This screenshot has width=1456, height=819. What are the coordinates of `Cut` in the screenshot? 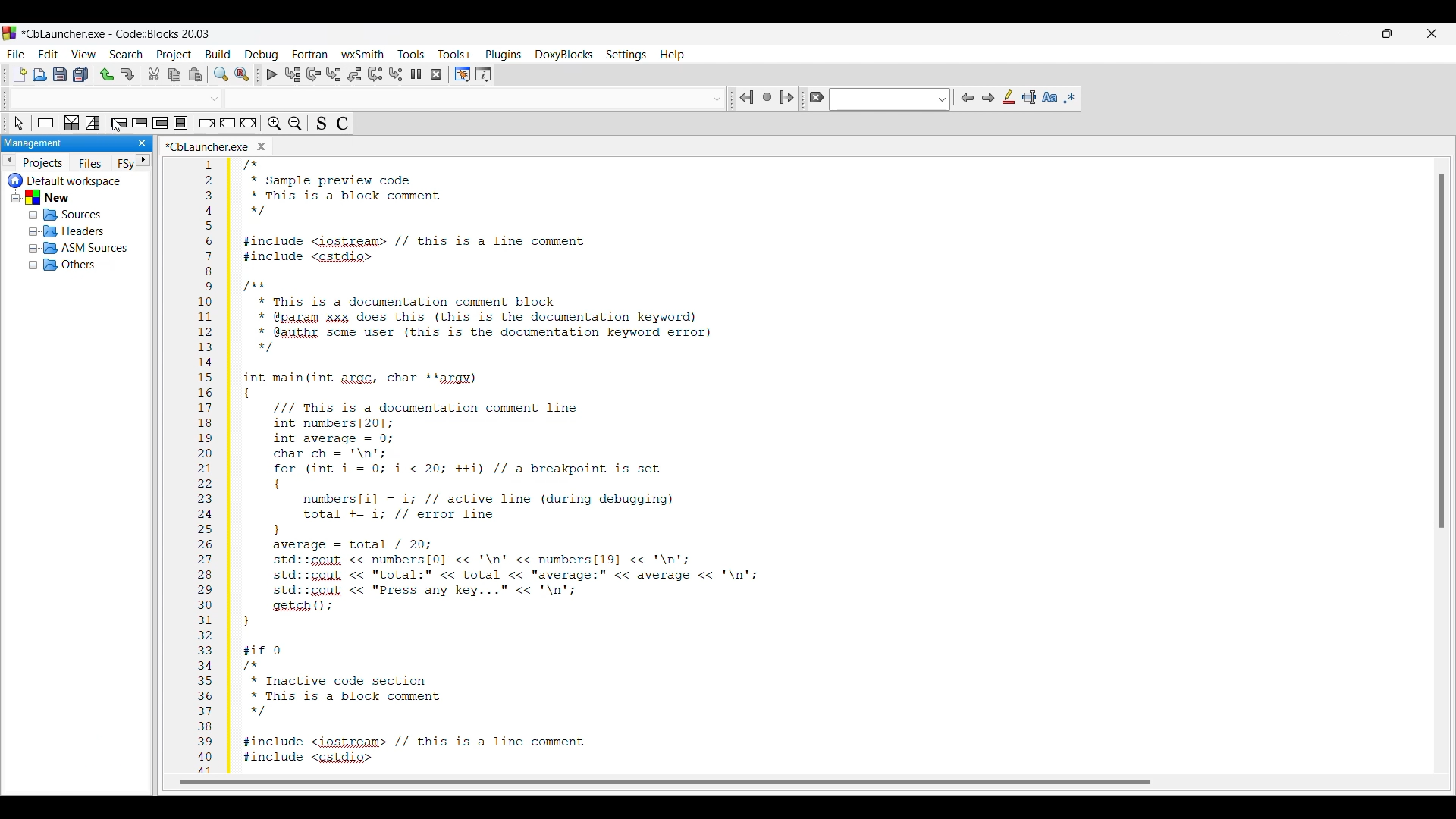 It's located at (154, 74).